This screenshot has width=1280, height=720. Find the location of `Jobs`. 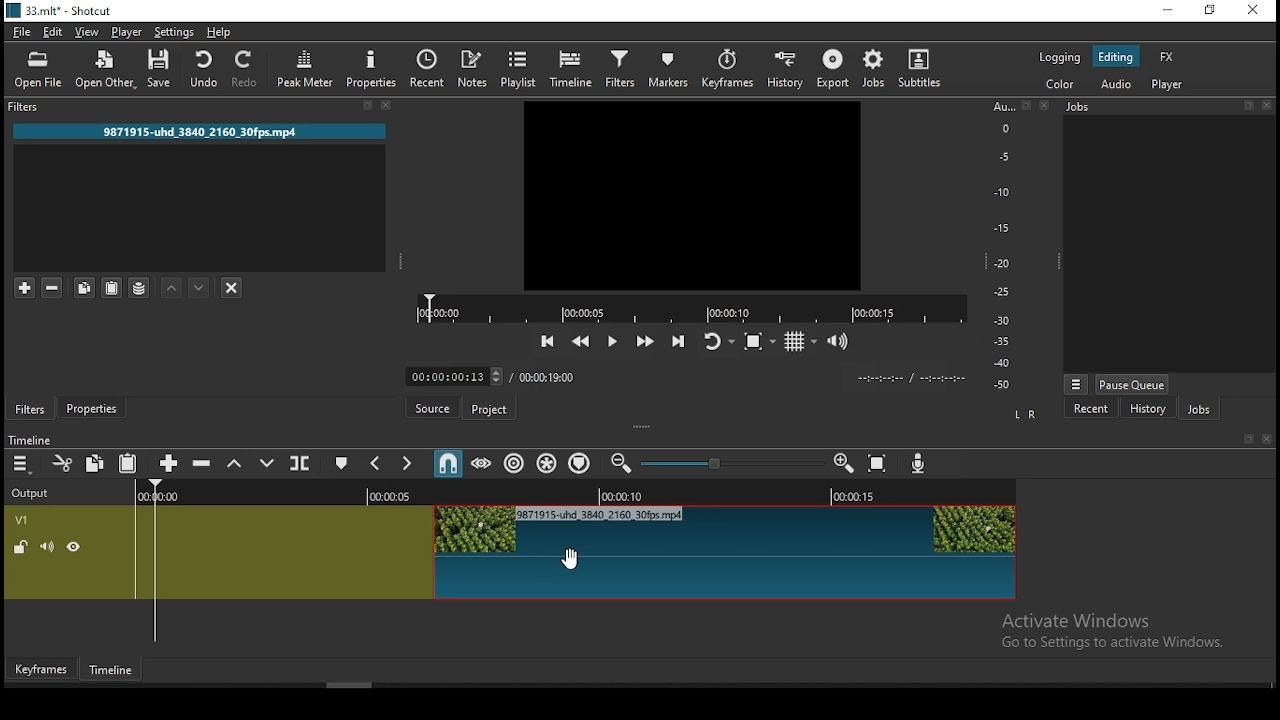

Jobs is located at coordinates (1085, 106).